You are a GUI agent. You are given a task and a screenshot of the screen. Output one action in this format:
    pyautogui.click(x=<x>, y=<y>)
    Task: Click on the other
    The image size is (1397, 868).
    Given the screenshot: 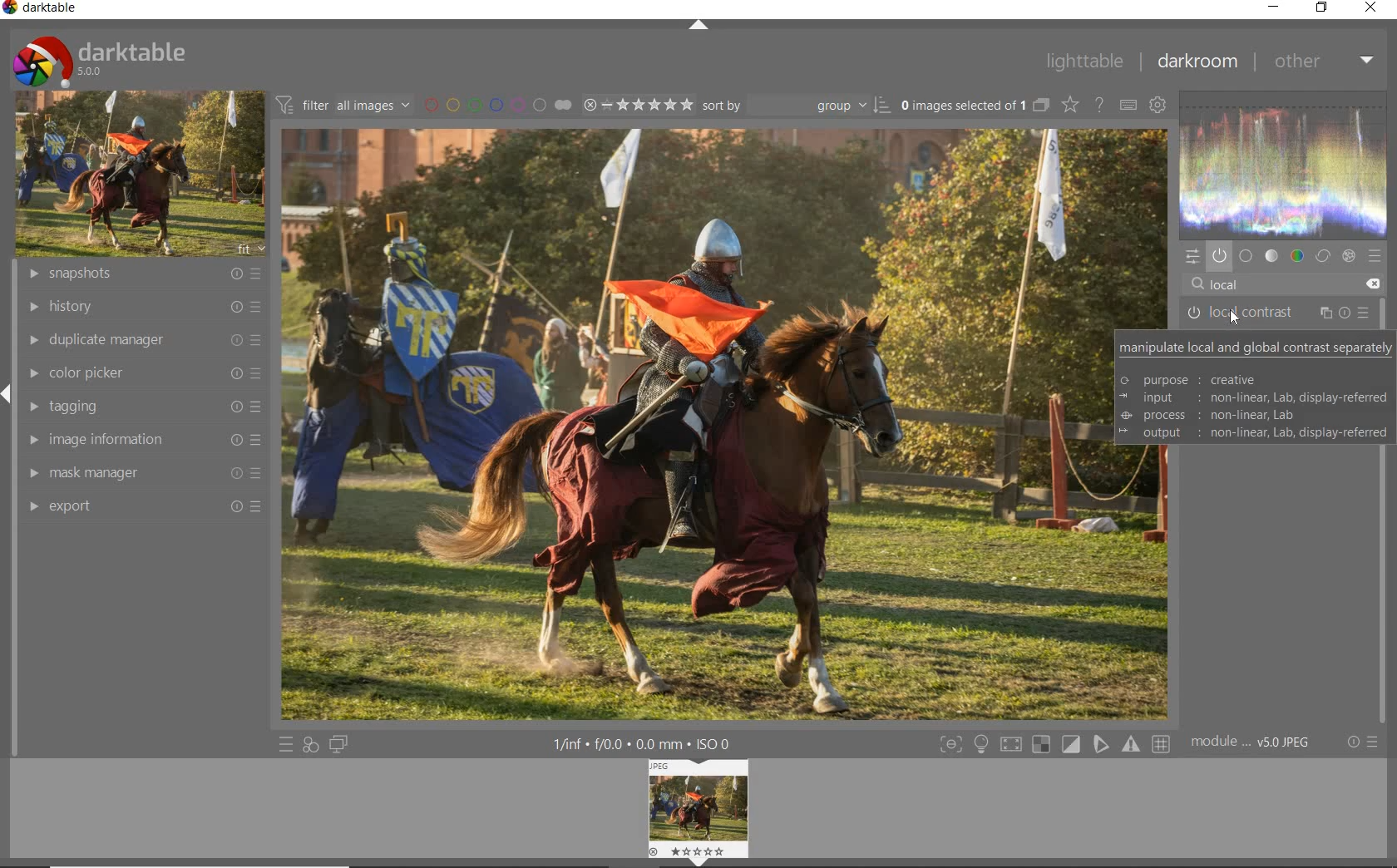 What is the action you would take?
    pyautogui.click(x=1325, y=62)
    